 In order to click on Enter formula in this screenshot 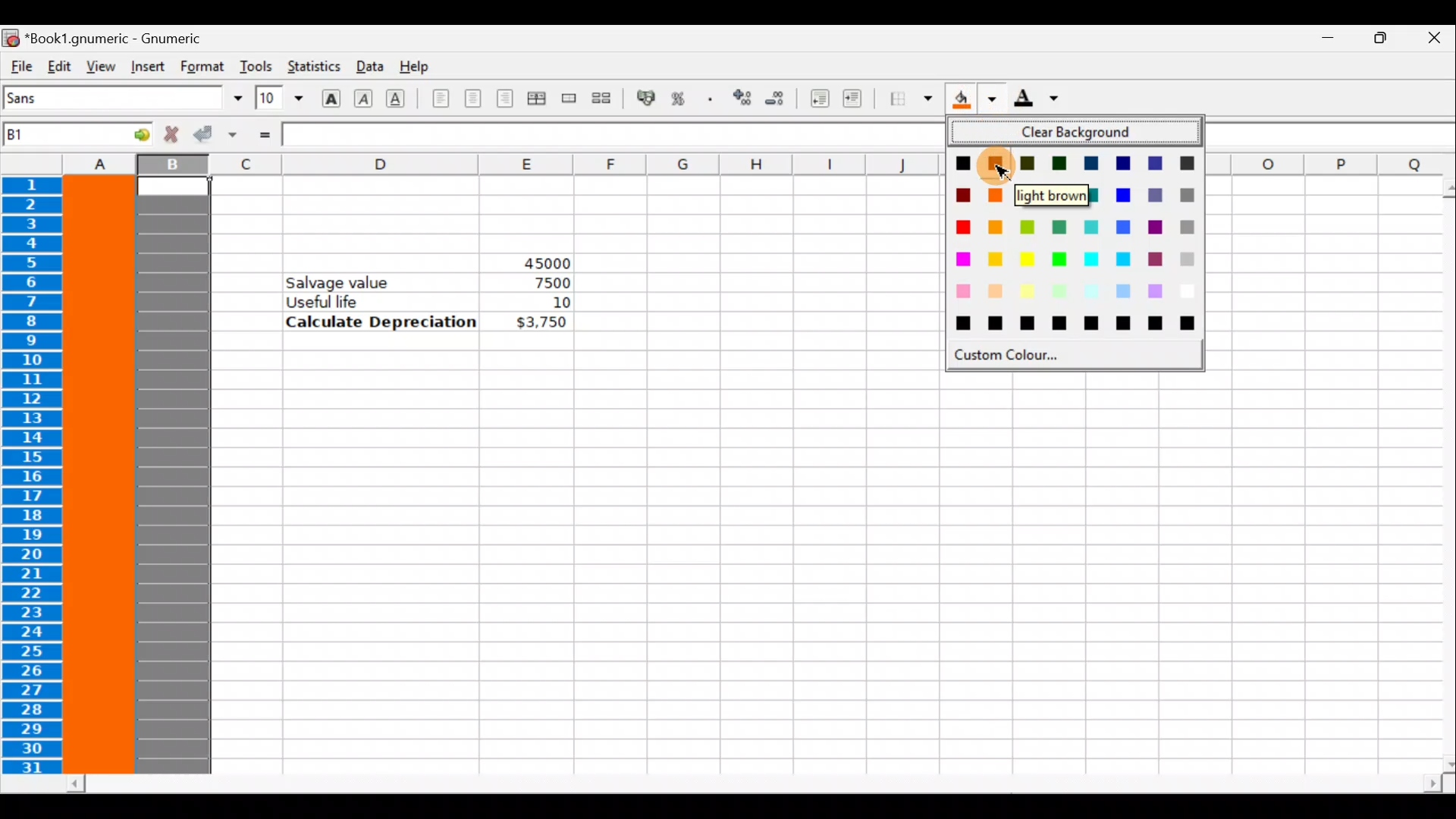, I will do `click(264, 134)`.